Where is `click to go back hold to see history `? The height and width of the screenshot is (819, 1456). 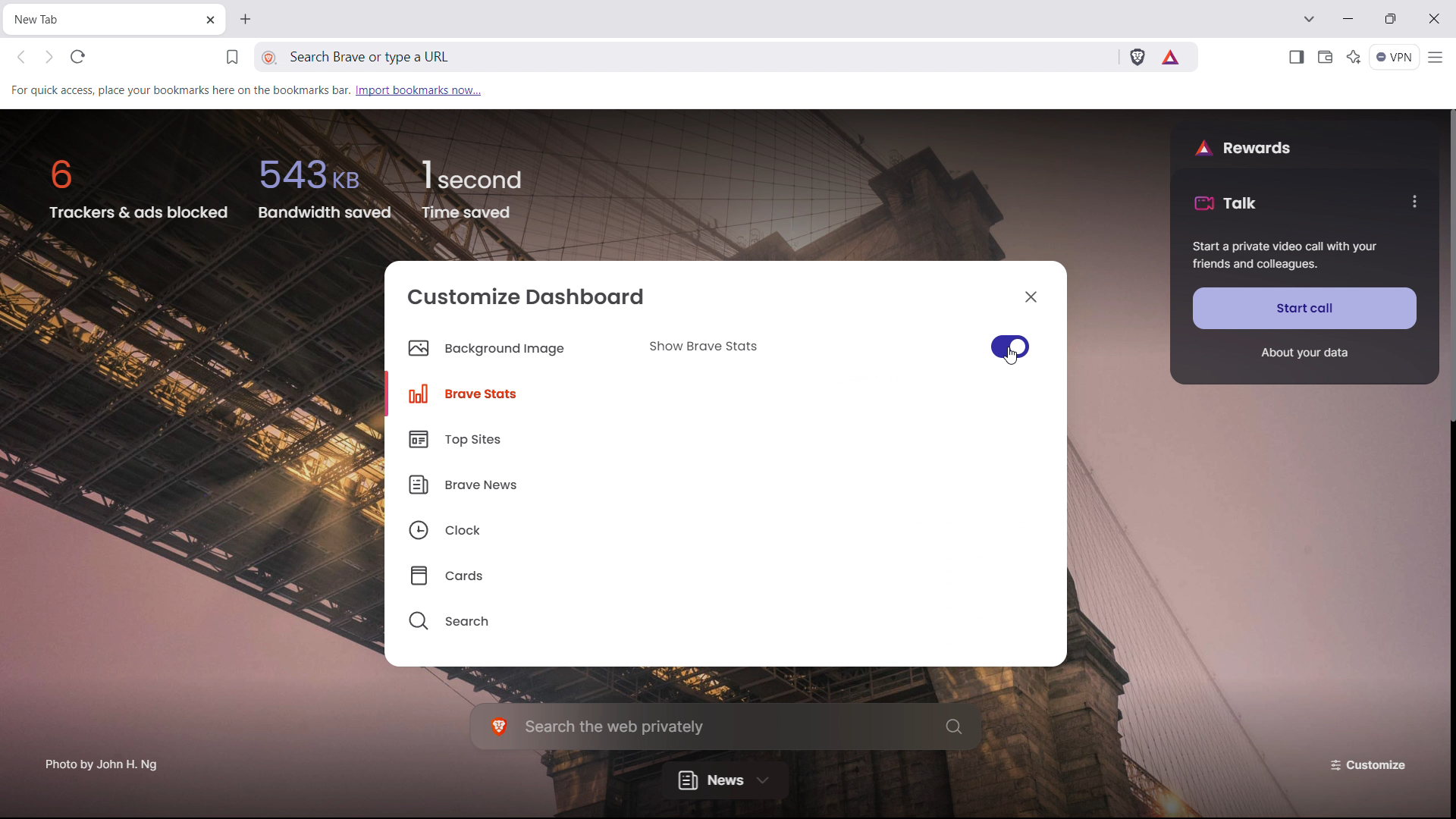 click to go back hold to see history  is located at coordinates (21, 58).